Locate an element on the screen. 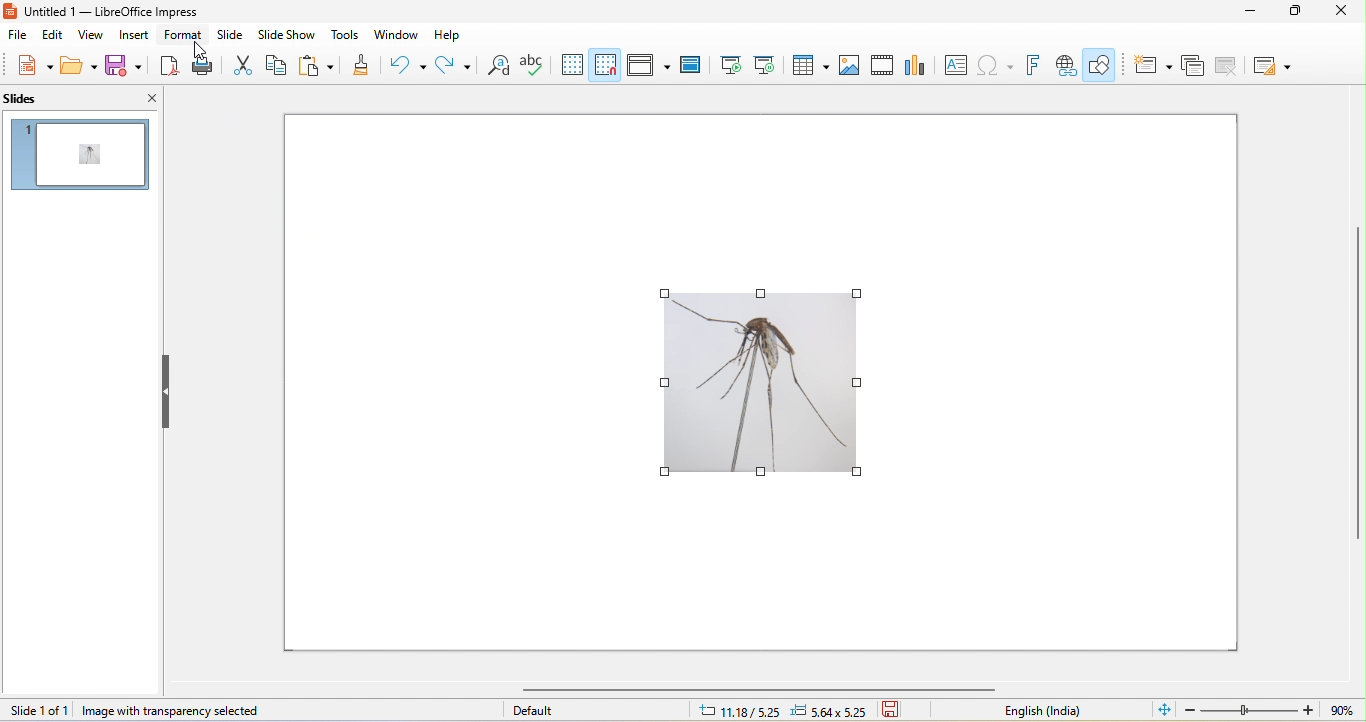 The width and height of the screenshot is (1366, 722). slide is located at coordinates (229, 35).